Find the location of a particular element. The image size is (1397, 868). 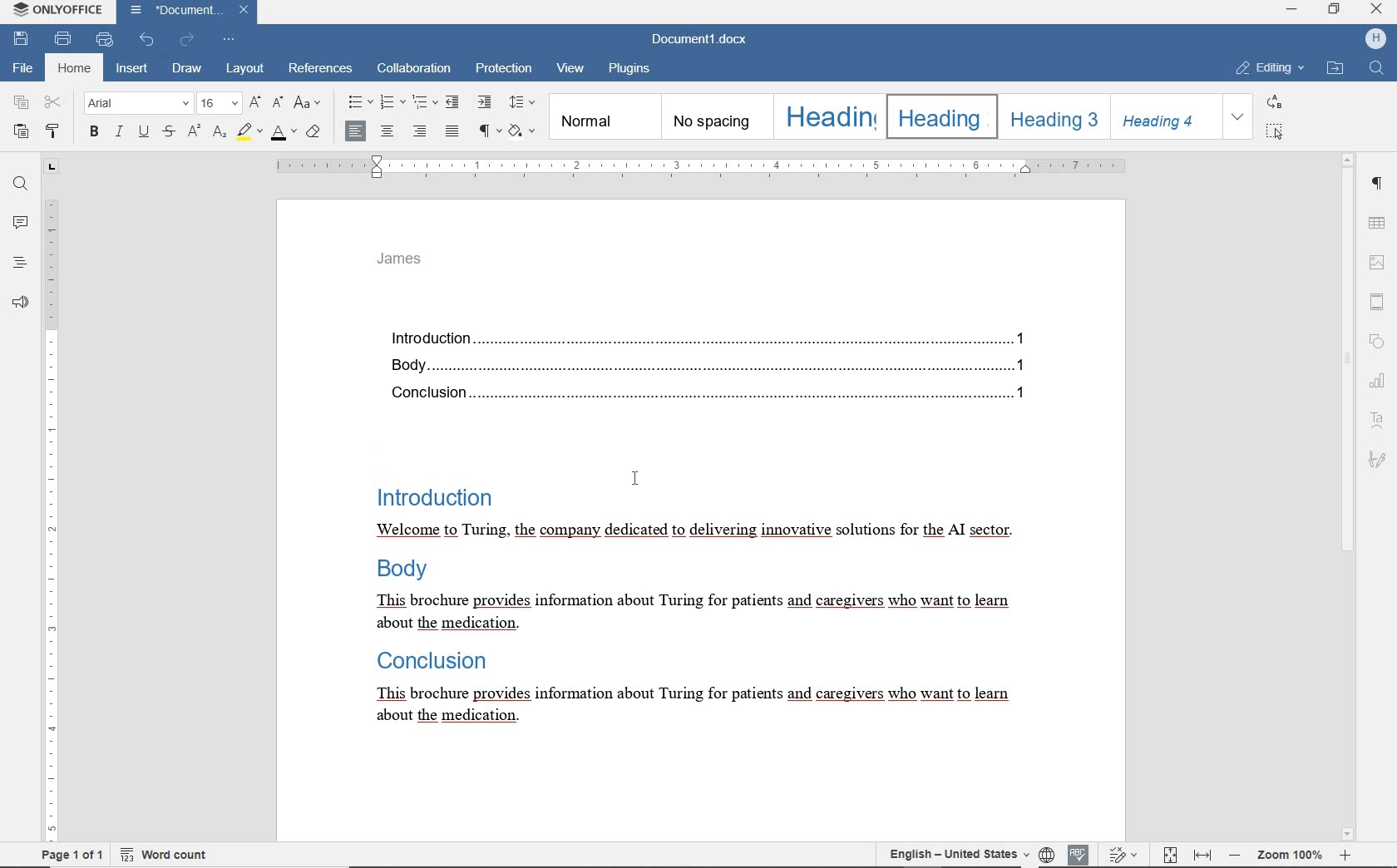

spell check is located at coordinates (1079, 855).